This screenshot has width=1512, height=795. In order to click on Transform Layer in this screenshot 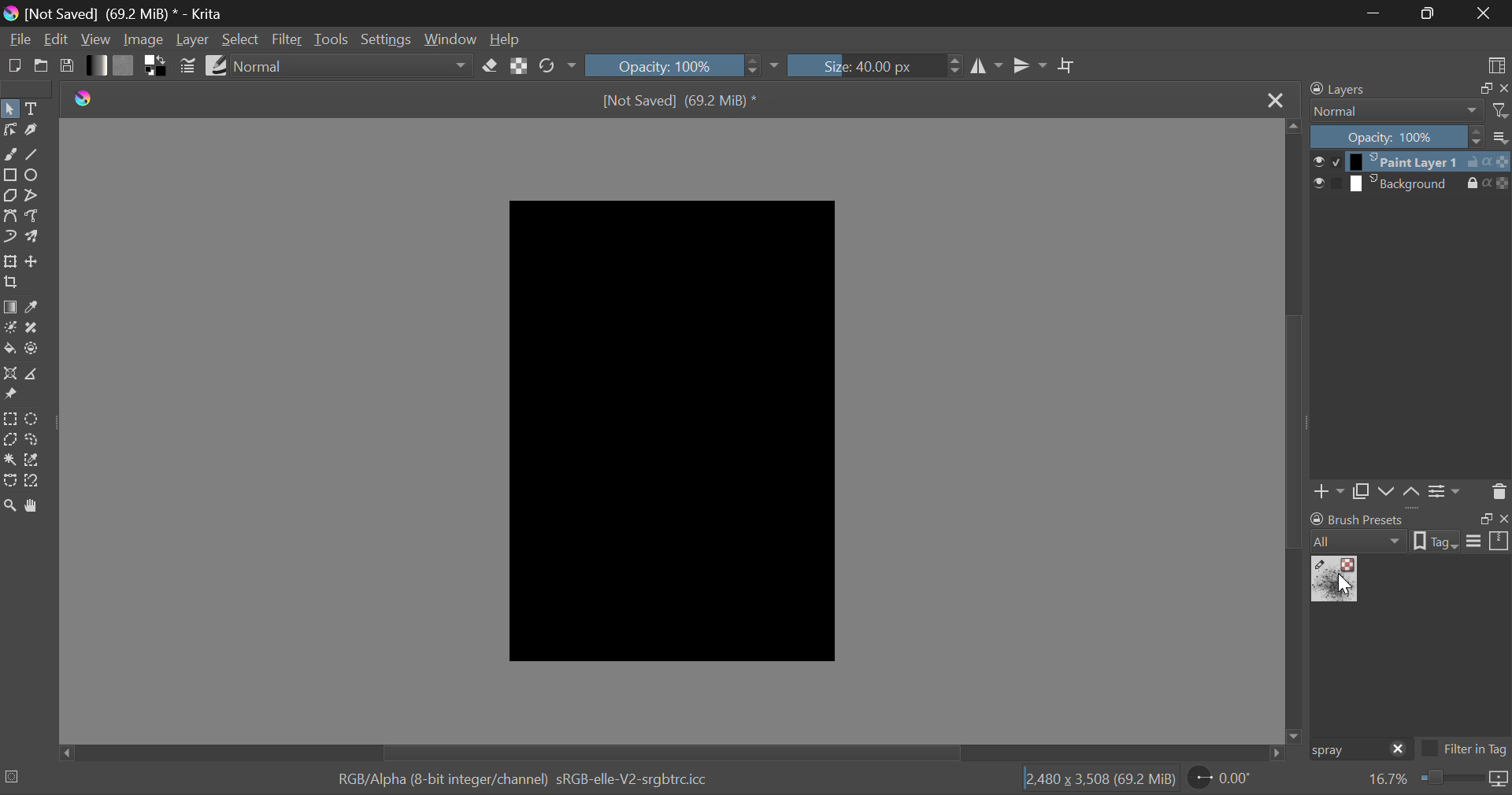, I will do `click(10, 261)`.